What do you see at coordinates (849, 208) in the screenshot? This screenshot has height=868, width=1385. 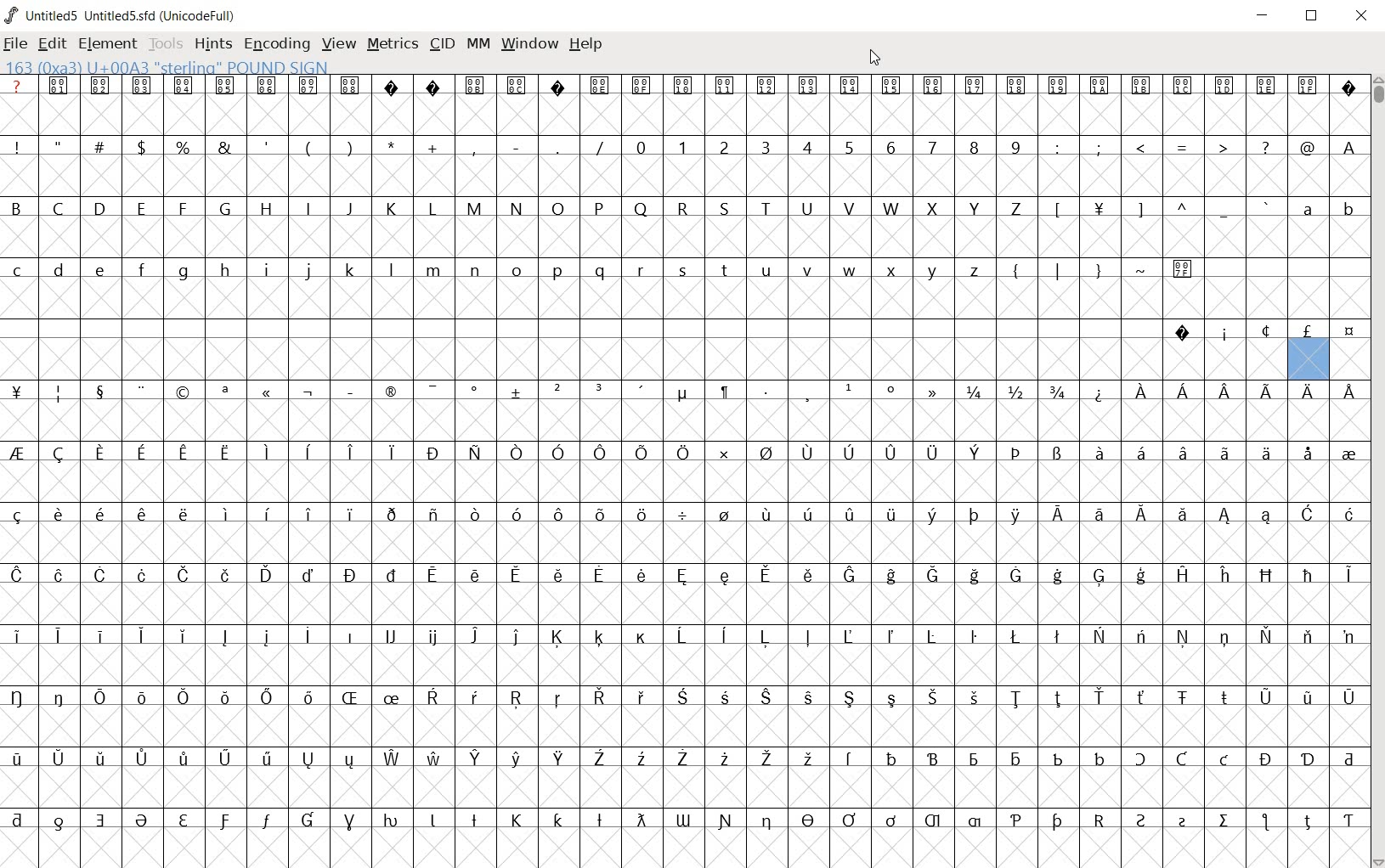 I see `V` at bounding box center [849, 208].